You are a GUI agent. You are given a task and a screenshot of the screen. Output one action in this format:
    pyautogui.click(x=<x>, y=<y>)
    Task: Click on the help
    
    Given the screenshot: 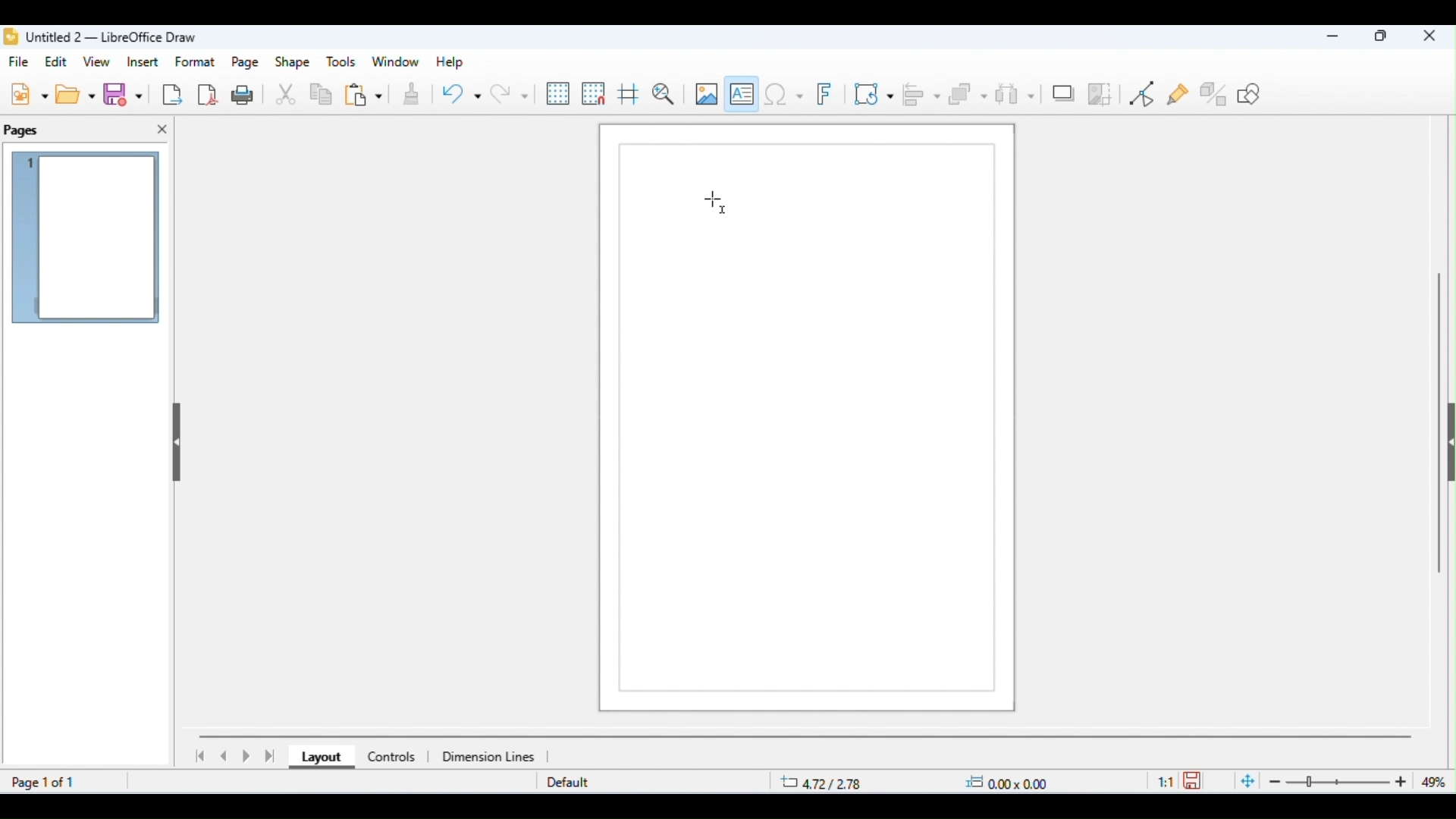 What is the action you would take?
    pyautogui.click(x=447, y=62)
    